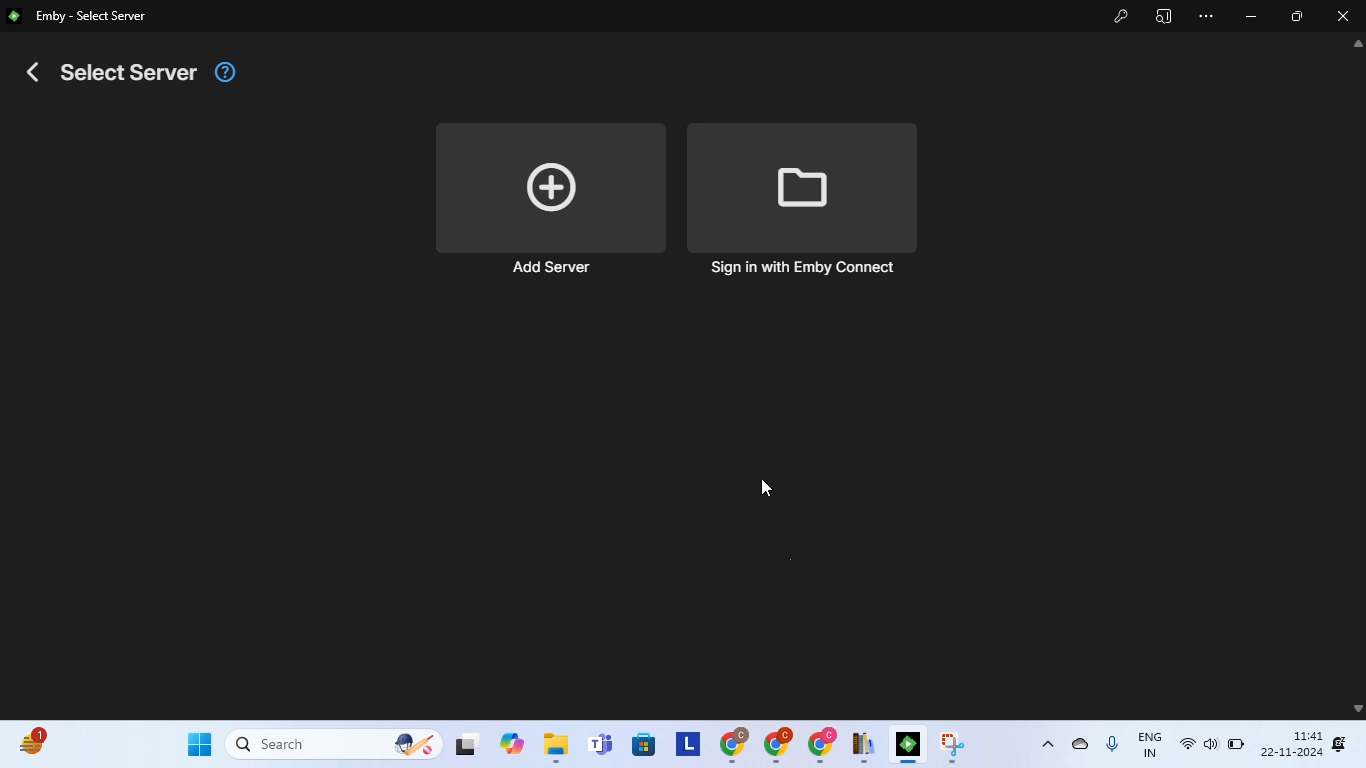  What do you see at coordinates (1205, 17) in the screenshot?
I see `settings and more` at bounding box center [1205, 17].